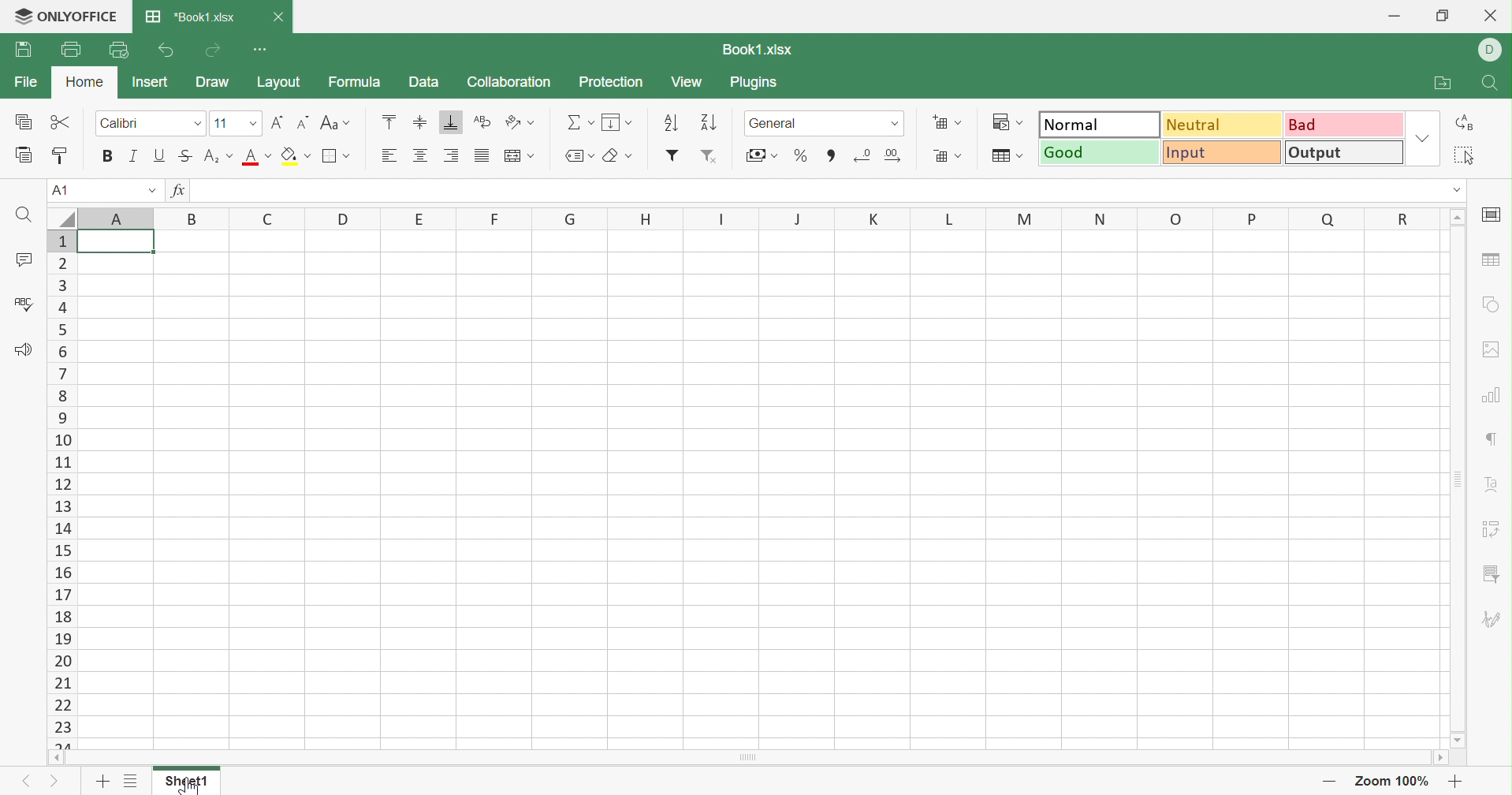  What do you see at coordinates (758, 84) in the screenshot?
I see `Plugins` at bounding box center [758, 84].